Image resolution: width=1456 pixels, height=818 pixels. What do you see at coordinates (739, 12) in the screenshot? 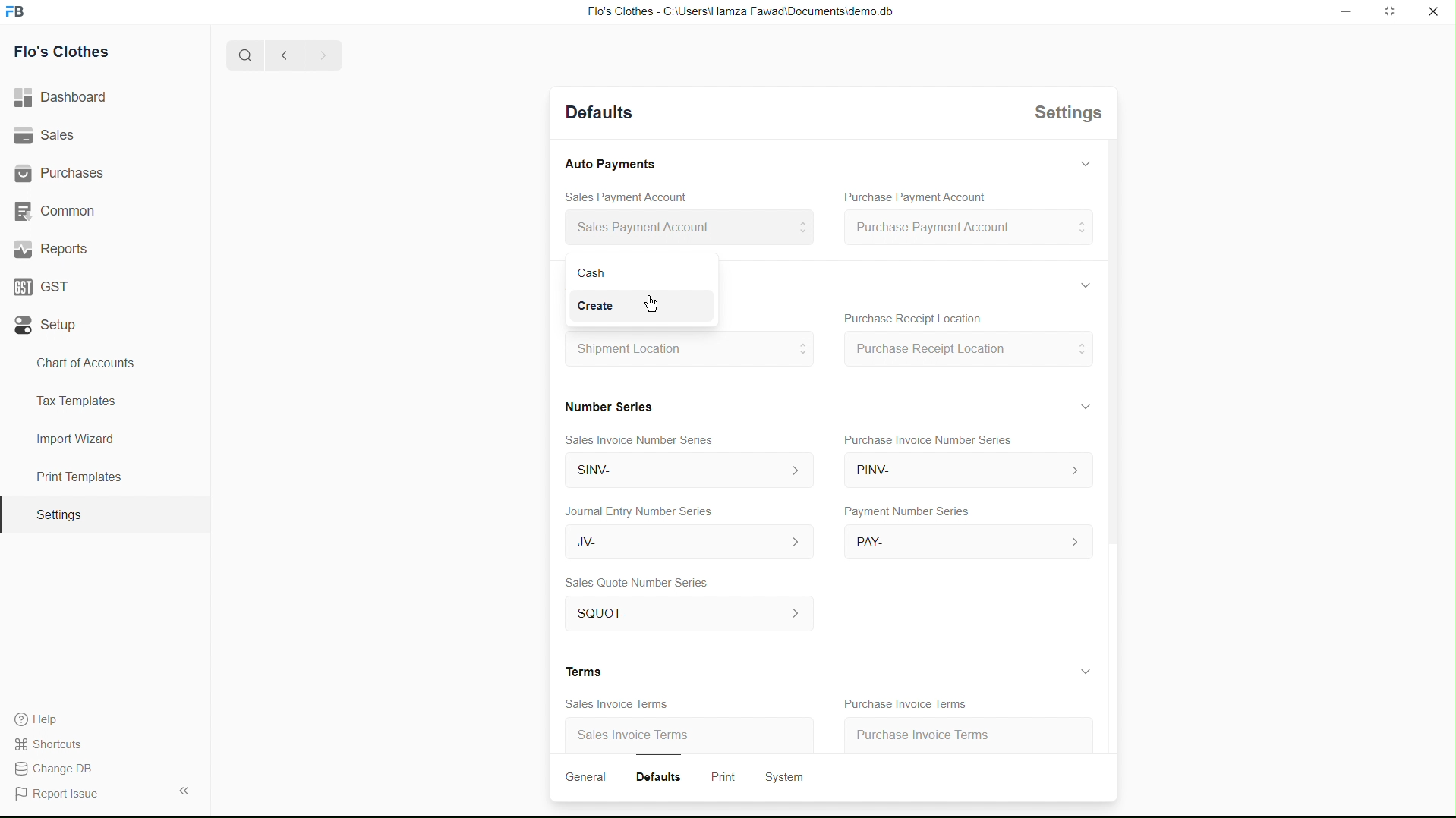
I see `Flo's Clothes - C:\Users\Hamza Fawad\Documents\demo db` at bounding box center [739, 12].